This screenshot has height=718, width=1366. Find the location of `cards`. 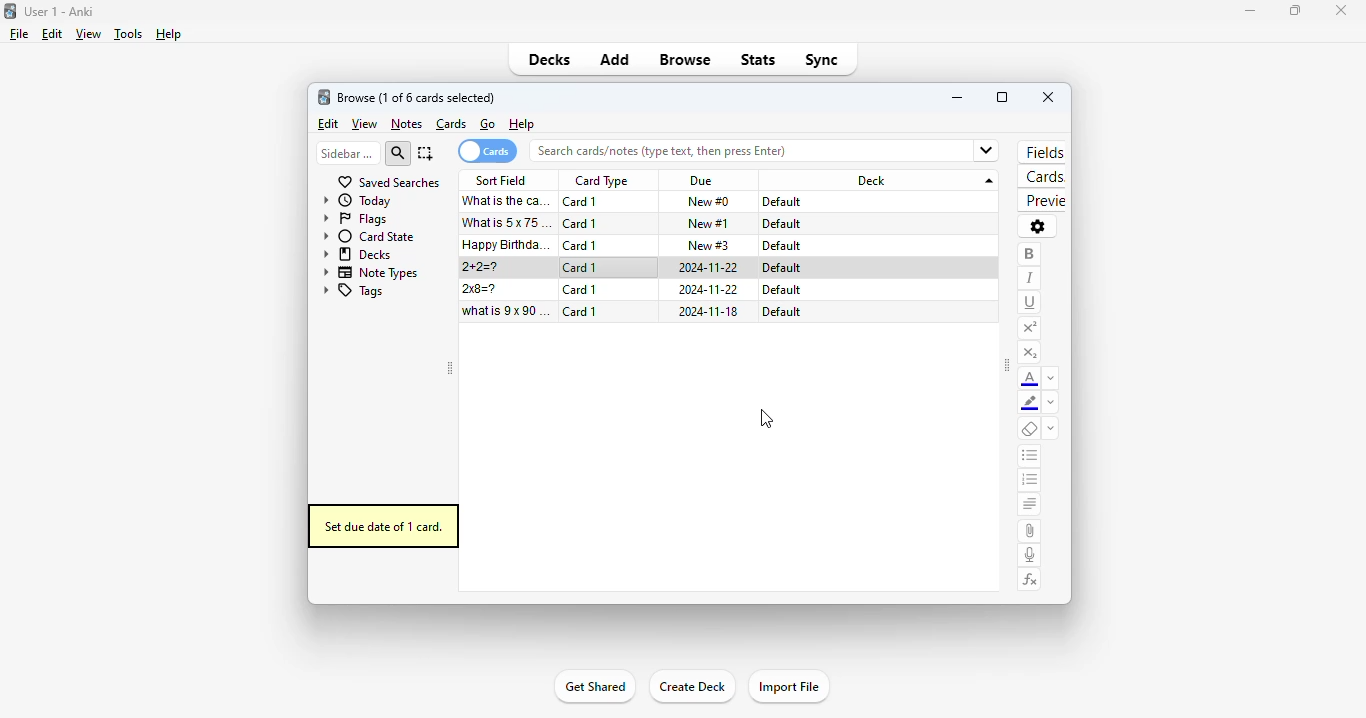

cards is located at coordinates (487, 151).